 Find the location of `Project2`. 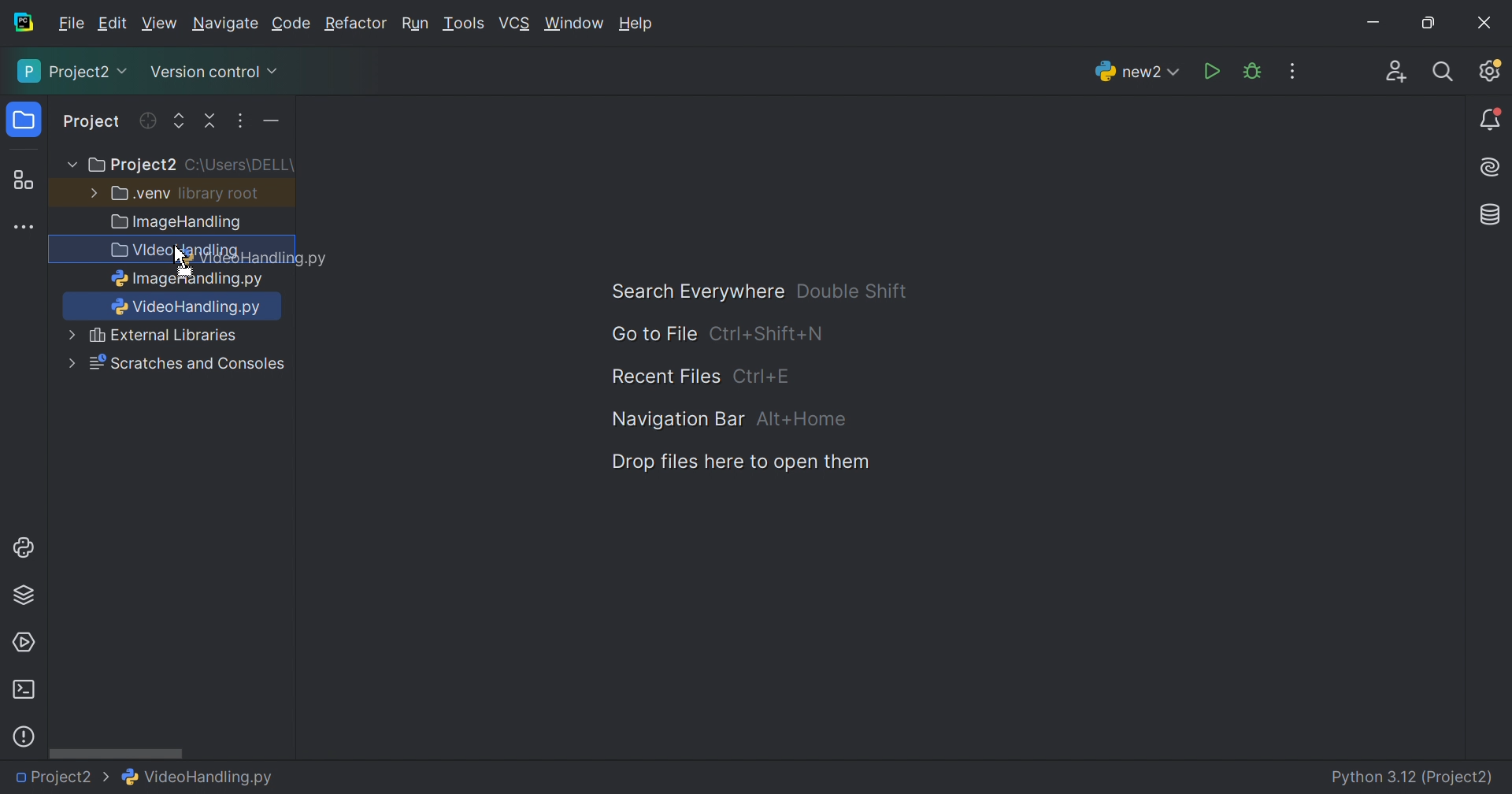

Project2 is located at coordinates (74, 71).